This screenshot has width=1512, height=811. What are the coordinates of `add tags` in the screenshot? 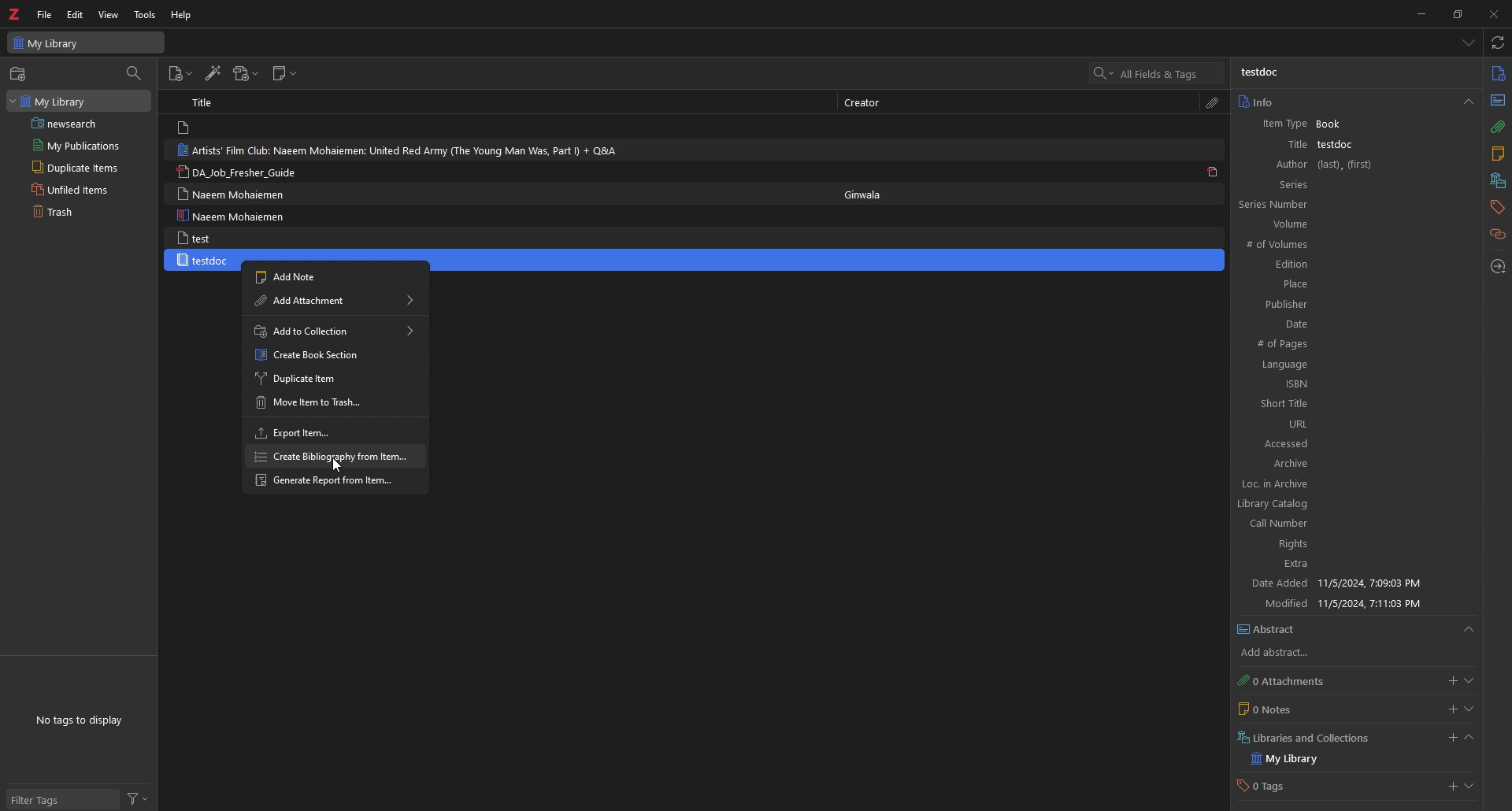 It's located at (1451, 788).